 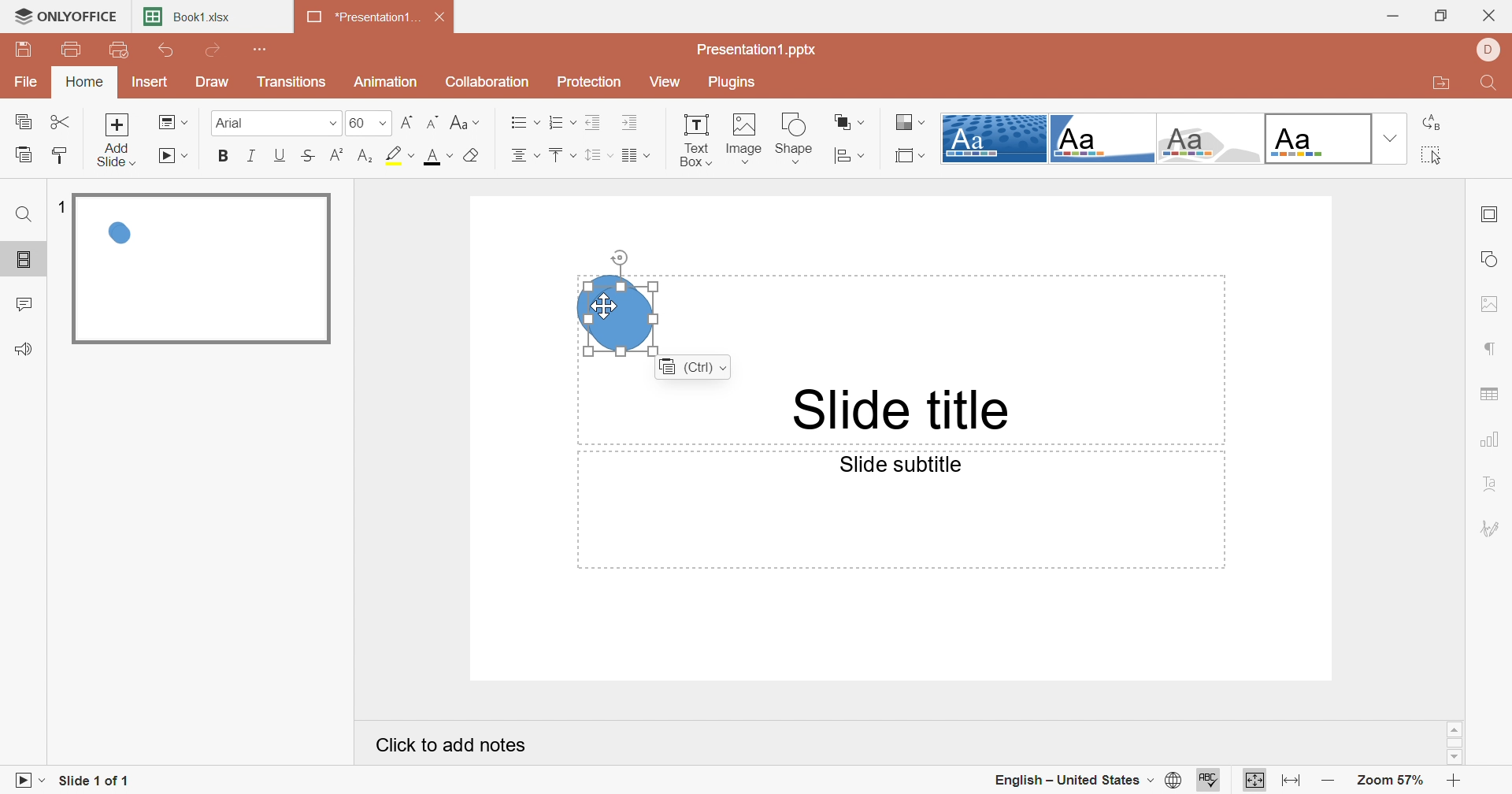 I want to click on Slide 1 of 1, so click(x=94, y=782).